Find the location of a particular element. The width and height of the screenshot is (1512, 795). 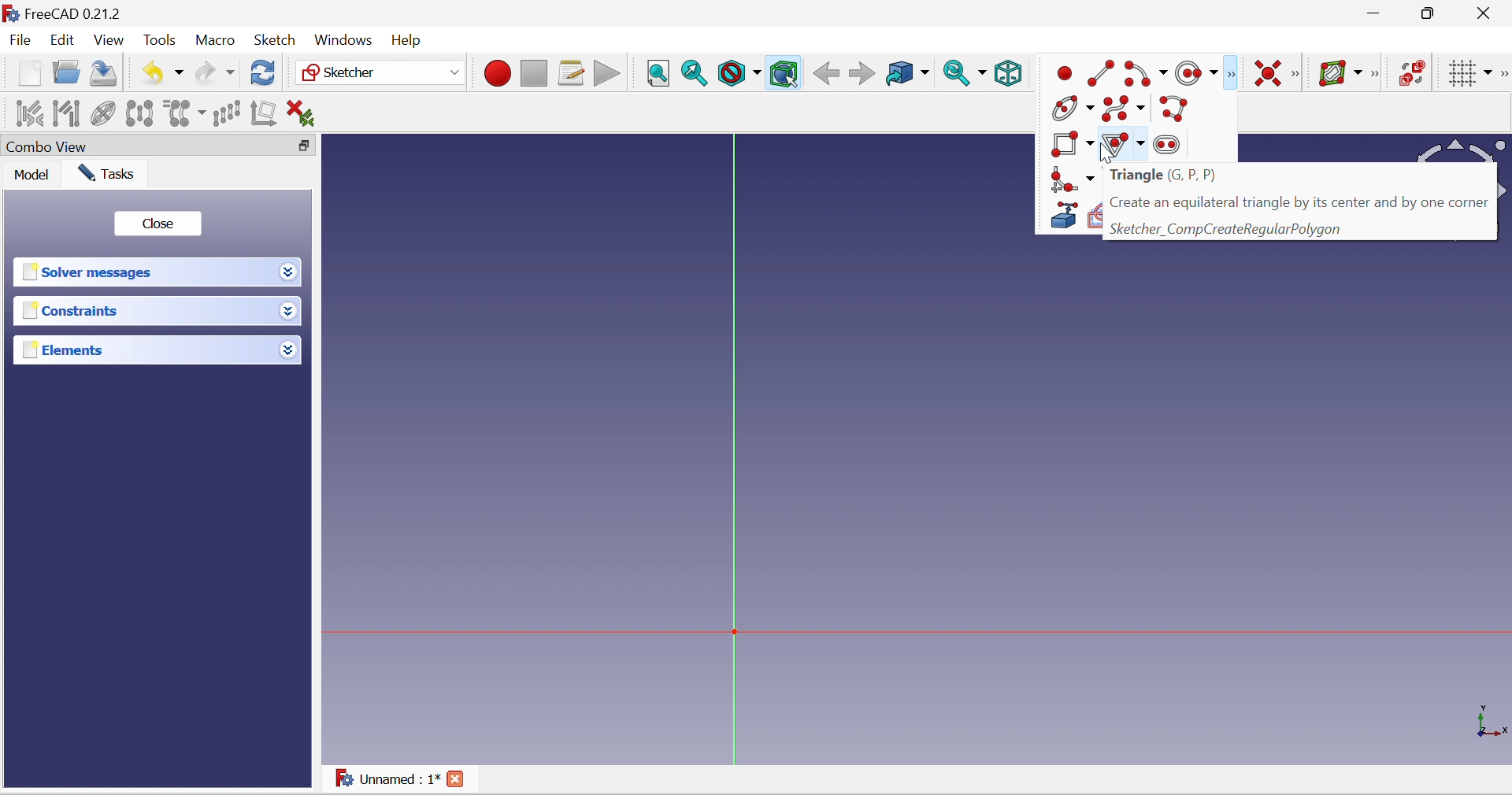

Drop down is located at coordinates (289, 349).